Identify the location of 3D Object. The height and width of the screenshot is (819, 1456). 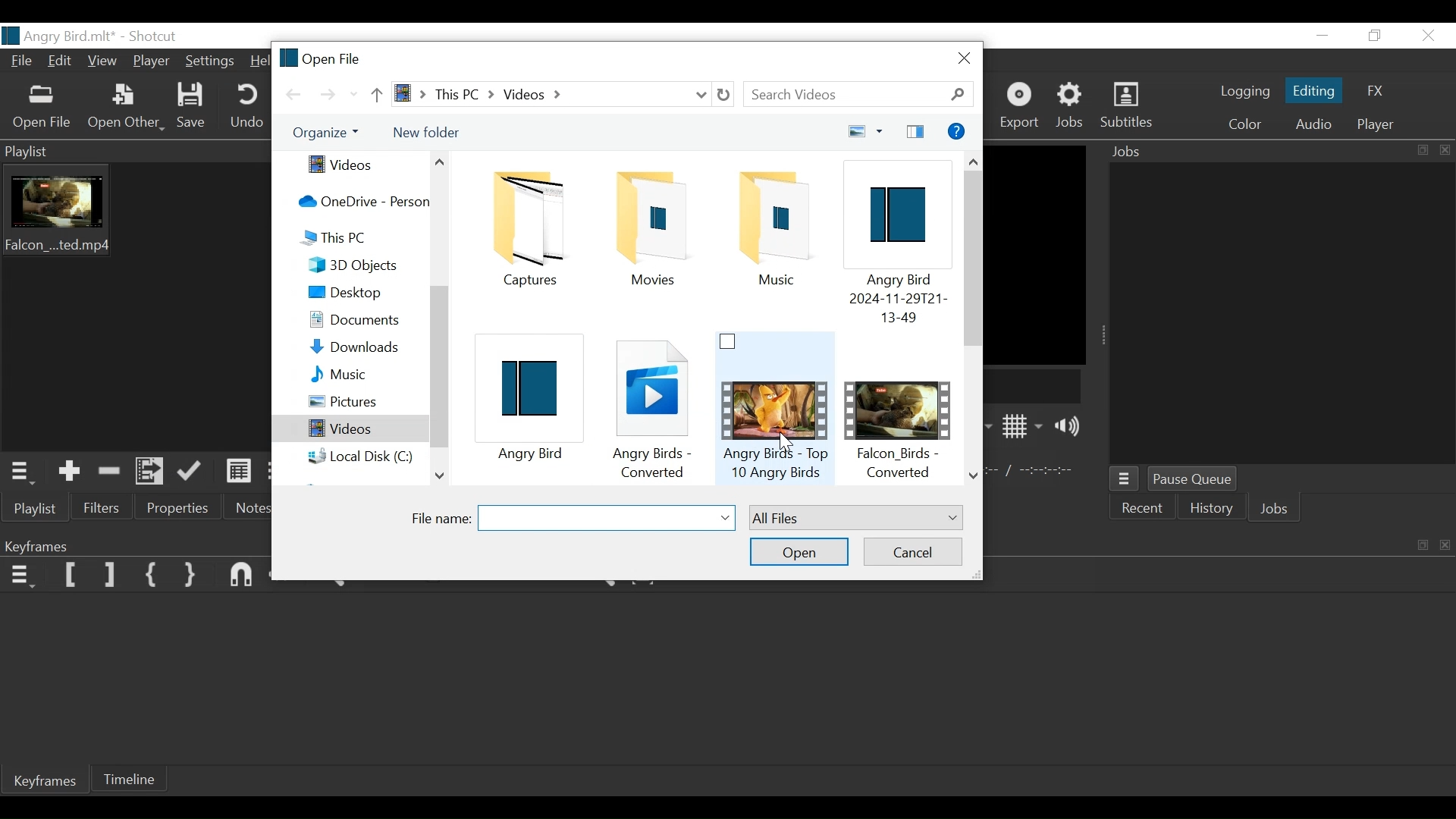
(360, 265).